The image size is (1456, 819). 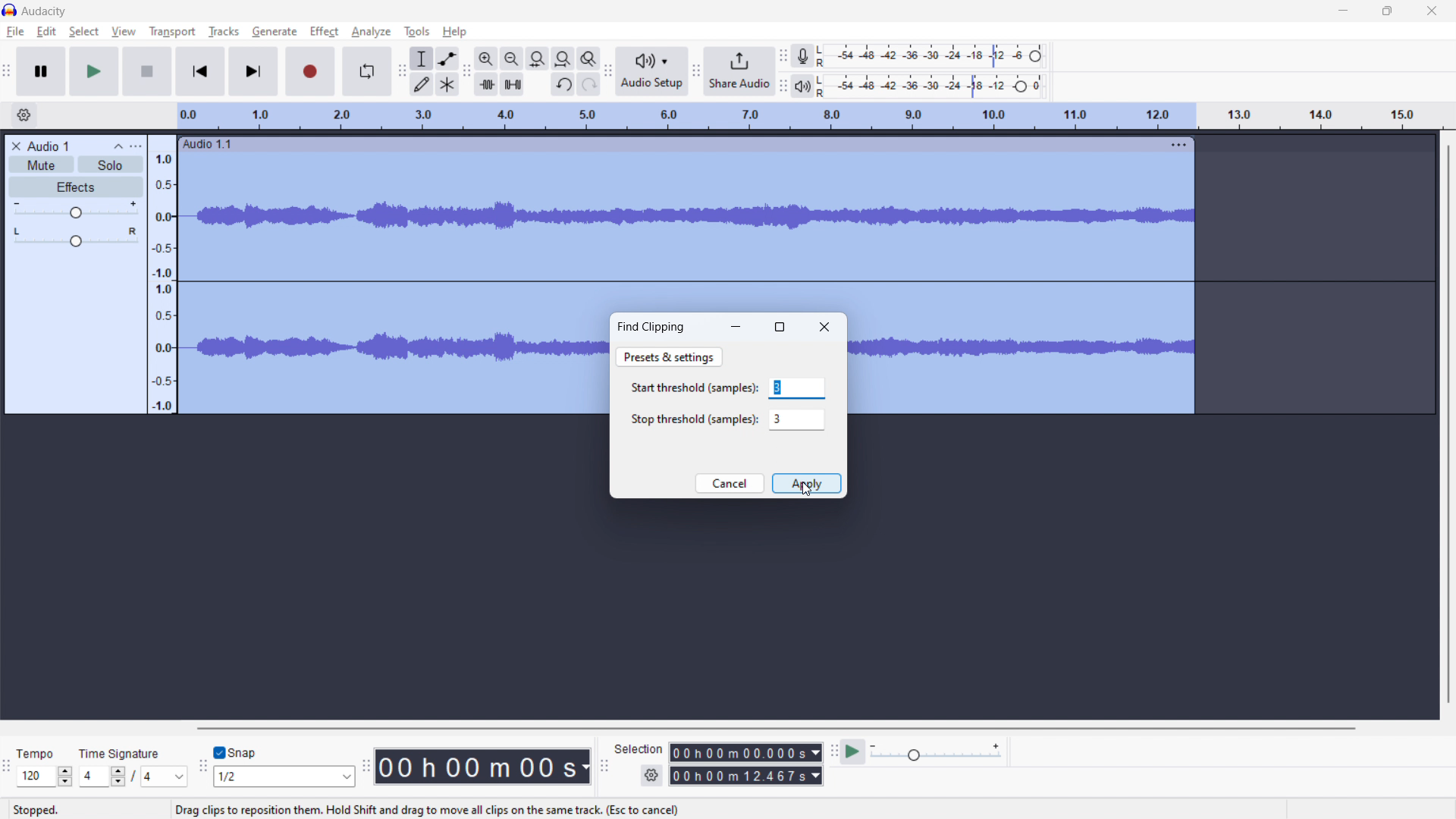 I want to click on find clipping dialogbox, so click(x=651, y=328).